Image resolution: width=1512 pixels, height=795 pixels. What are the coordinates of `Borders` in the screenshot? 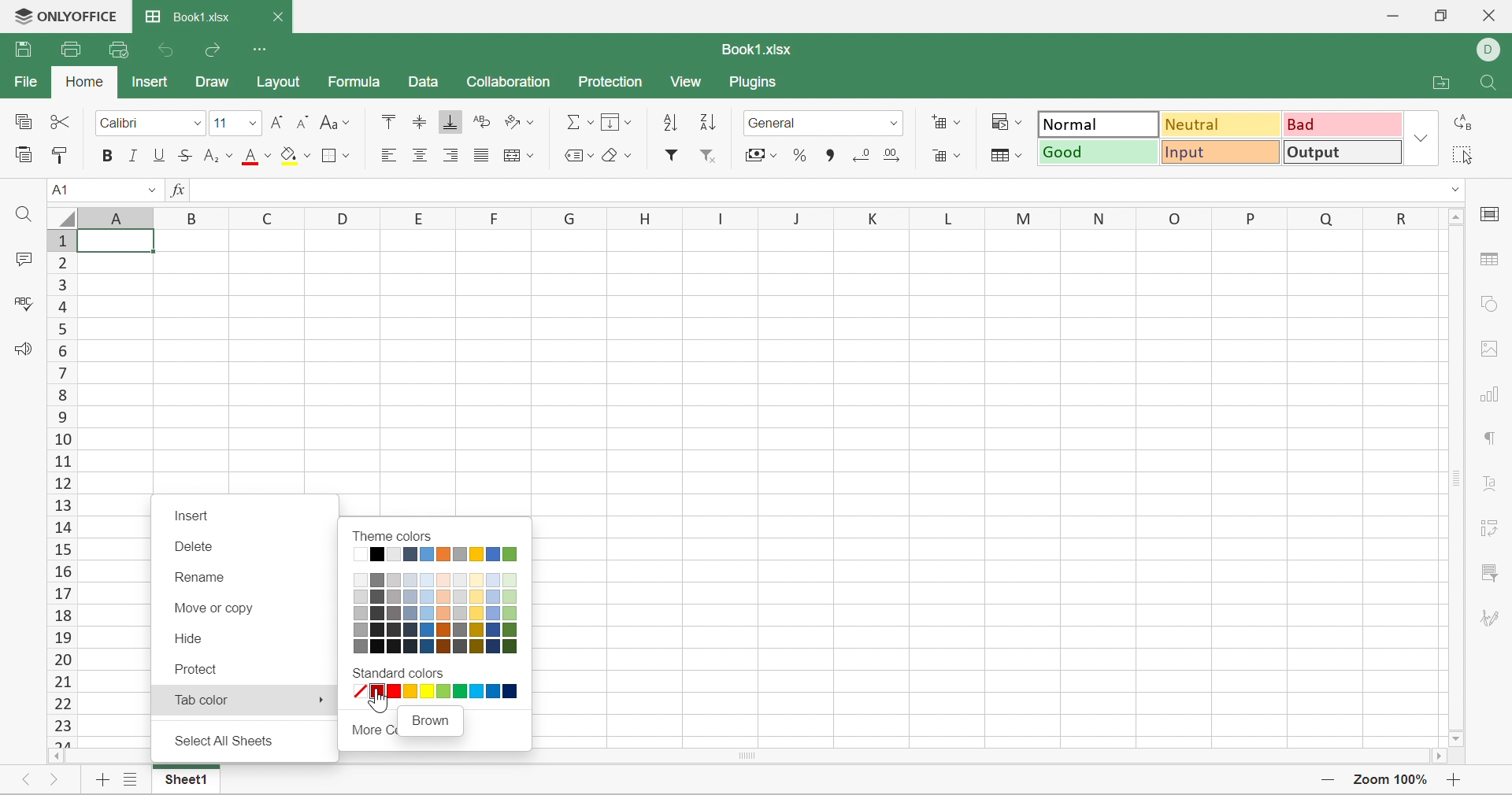 It's located at (337, 155).